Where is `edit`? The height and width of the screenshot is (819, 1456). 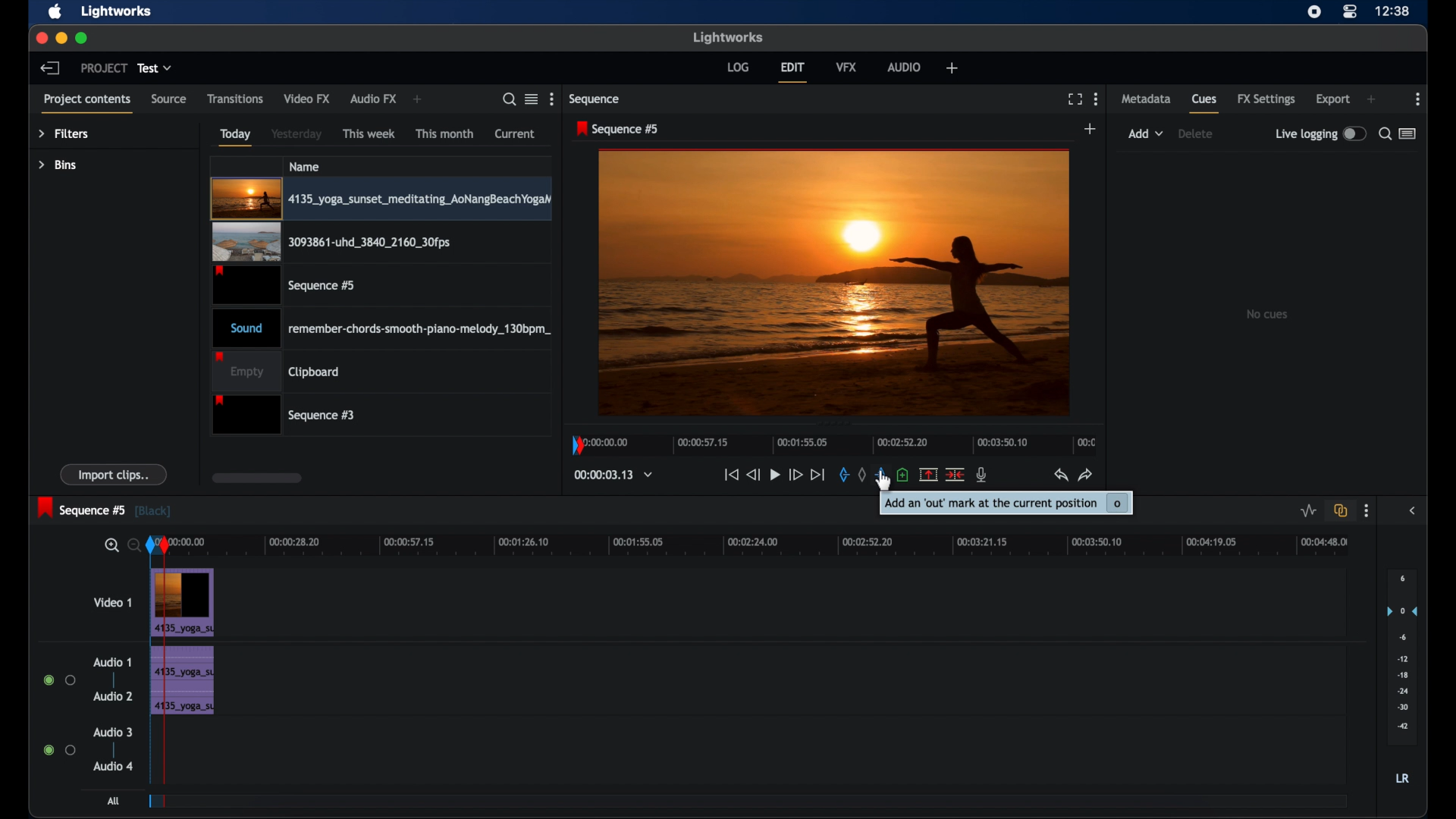 edit is located at coordinates (792, 71).